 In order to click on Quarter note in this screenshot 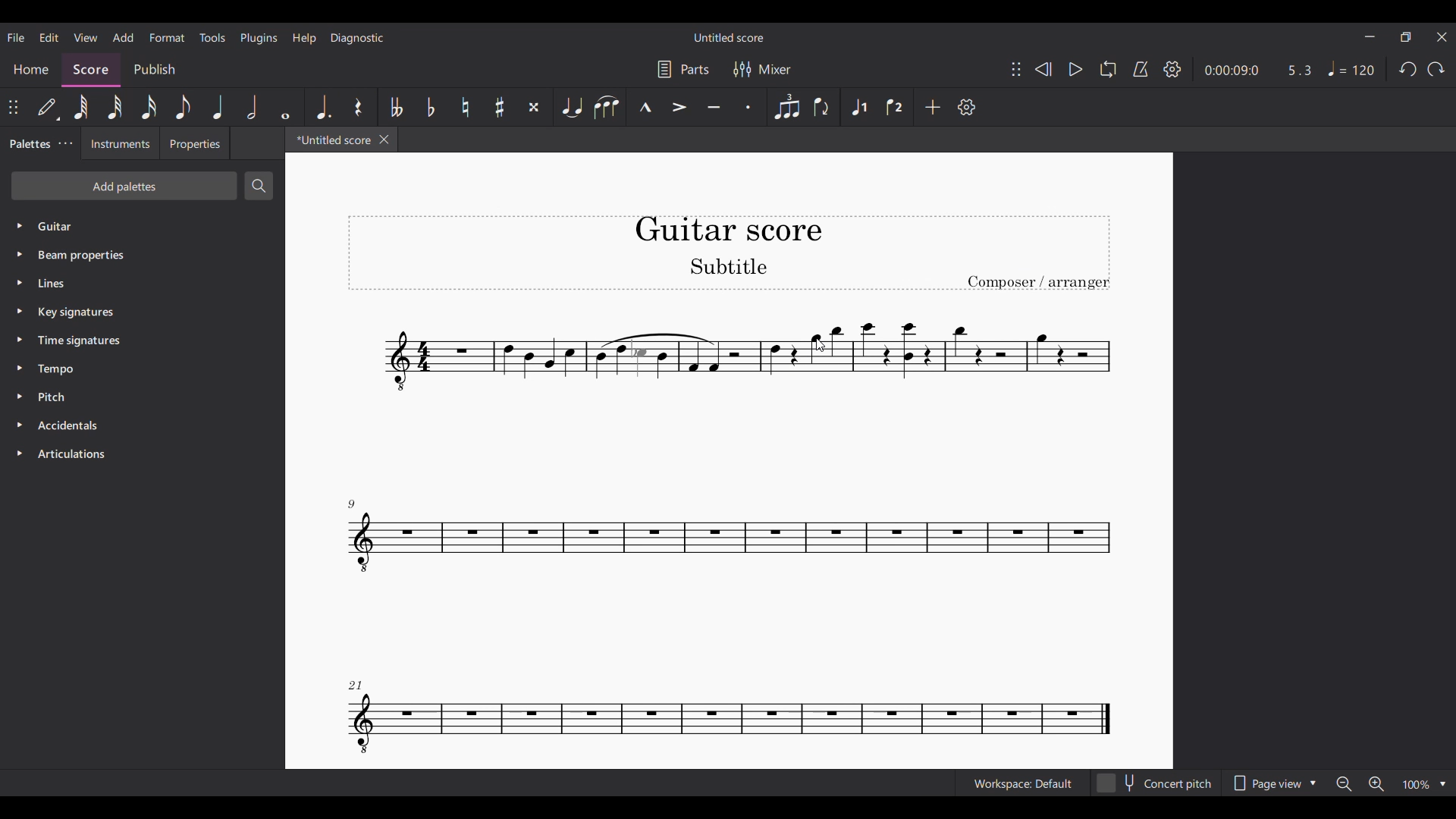, I will do `click(217, 108)`.